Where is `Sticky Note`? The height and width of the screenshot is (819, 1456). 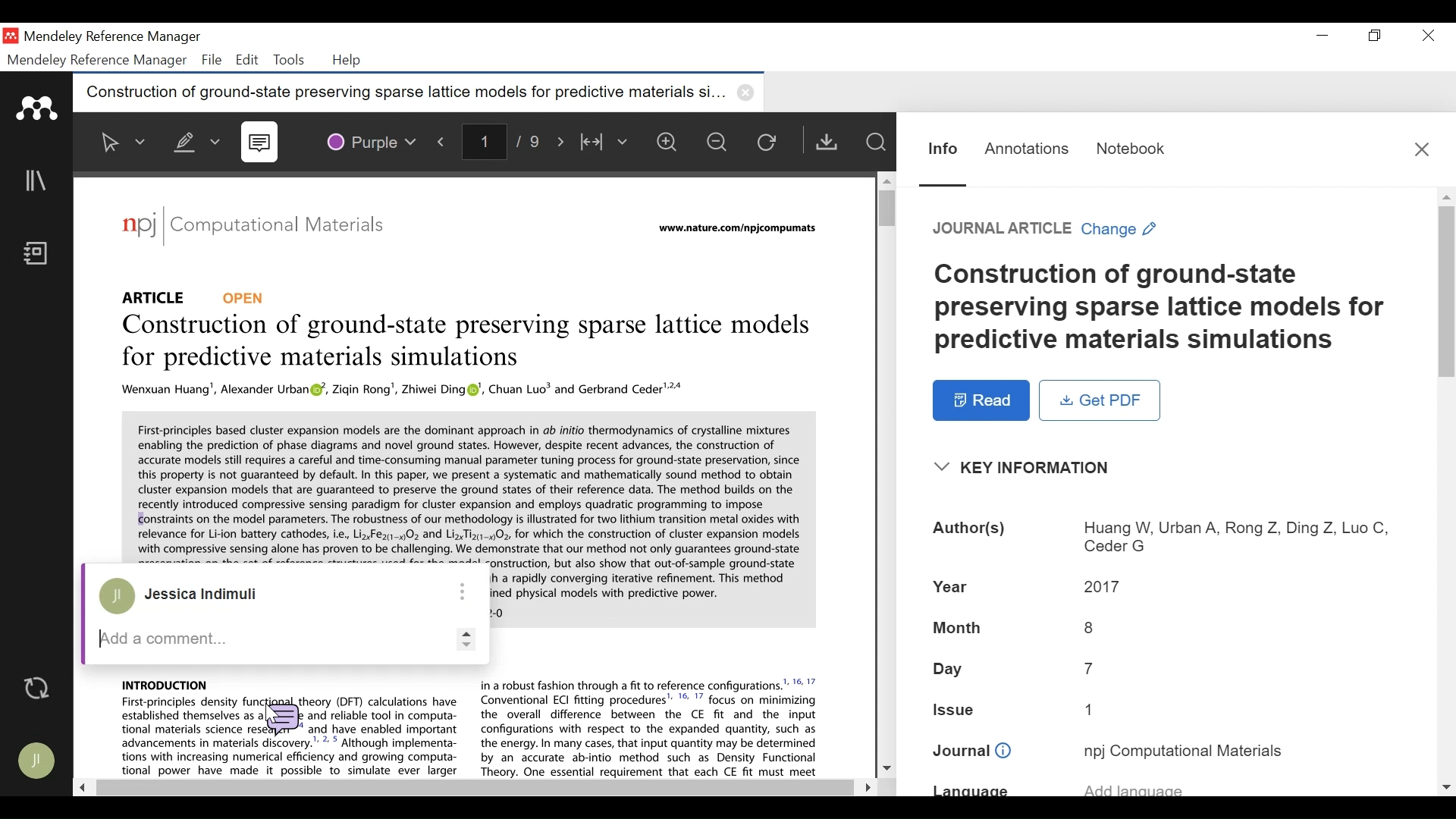
Sticky Note is located at coordinates (262, 143).